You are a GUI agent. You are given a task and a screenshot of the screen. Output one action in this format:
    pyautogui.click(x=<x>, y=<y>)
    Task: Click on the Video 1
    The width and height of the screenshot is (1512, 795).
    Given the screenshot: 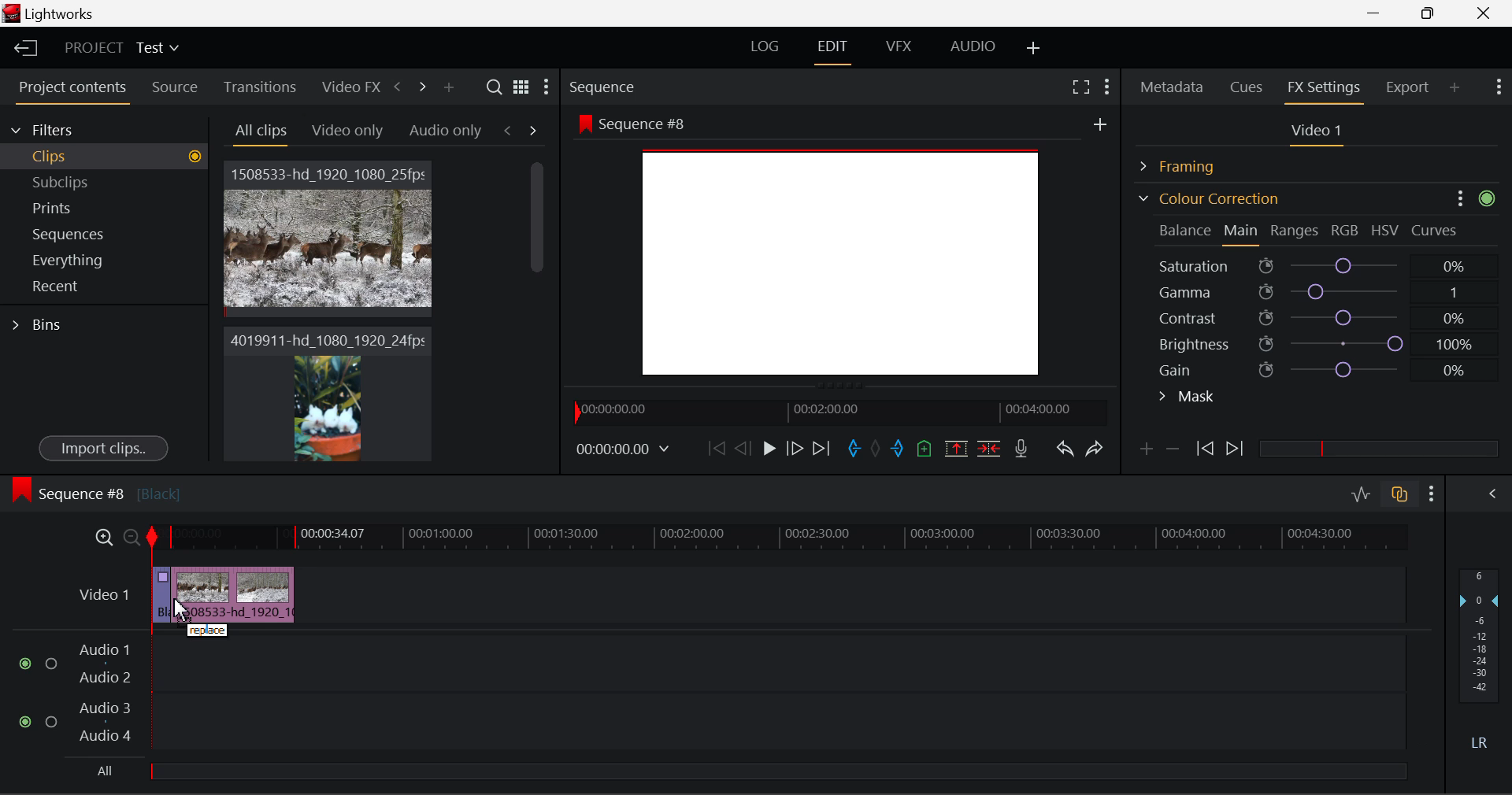 What is the action you would take?
    pyautogui.click(x=102, y=593)
    